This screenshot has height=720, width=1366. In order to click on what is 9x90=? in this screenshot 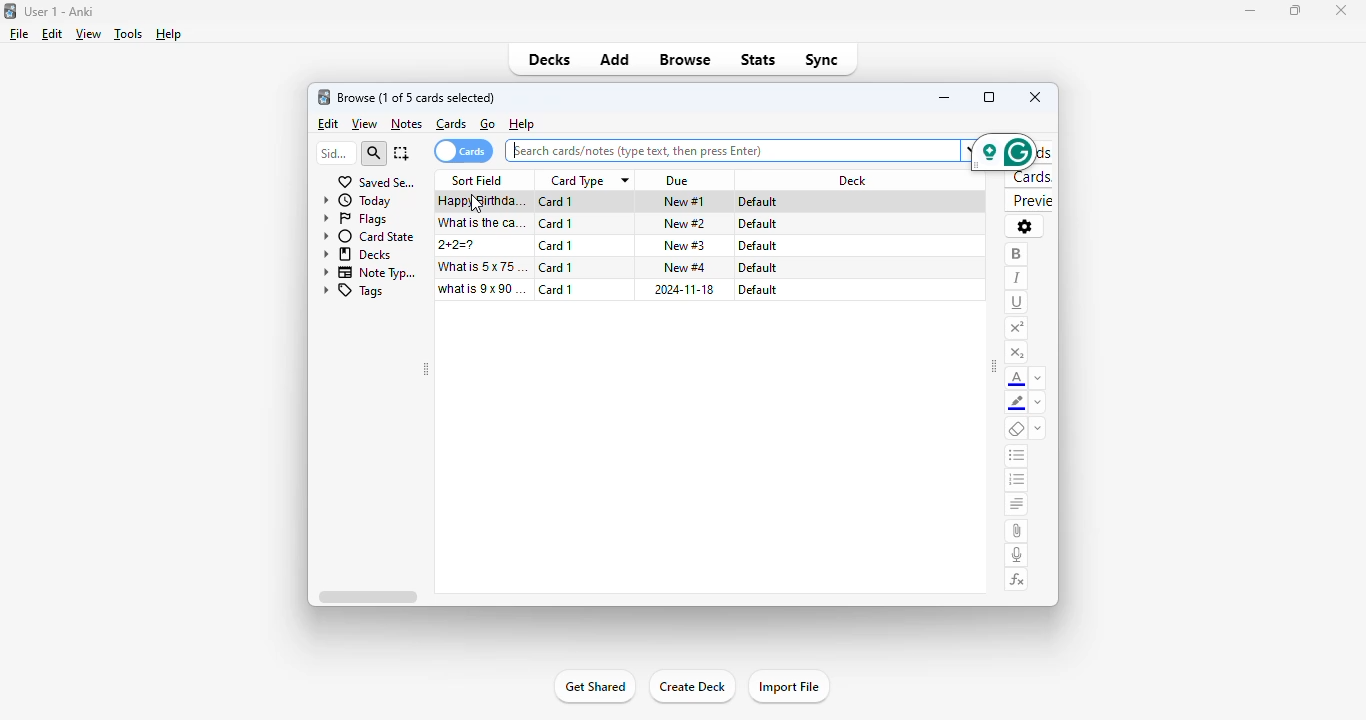, I will do `click(482, 289)`.